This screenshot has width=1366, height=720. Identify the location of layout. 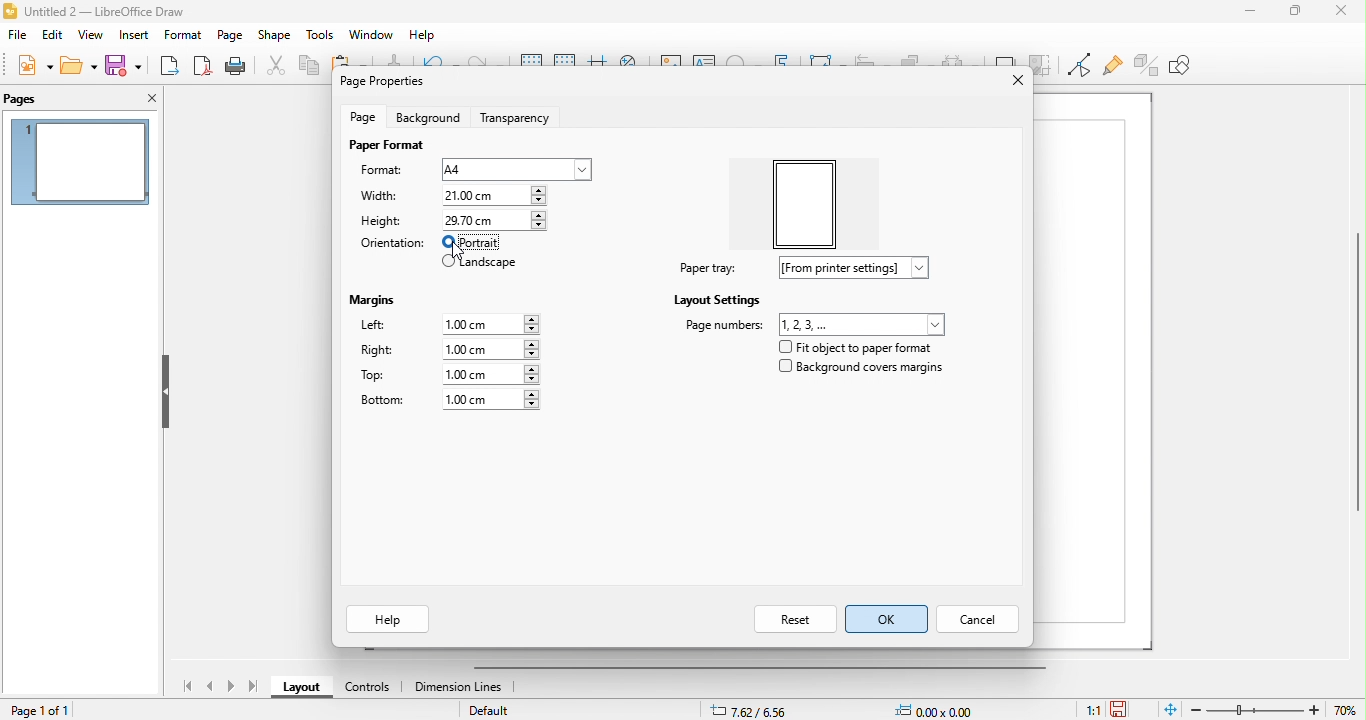
(299, 689).